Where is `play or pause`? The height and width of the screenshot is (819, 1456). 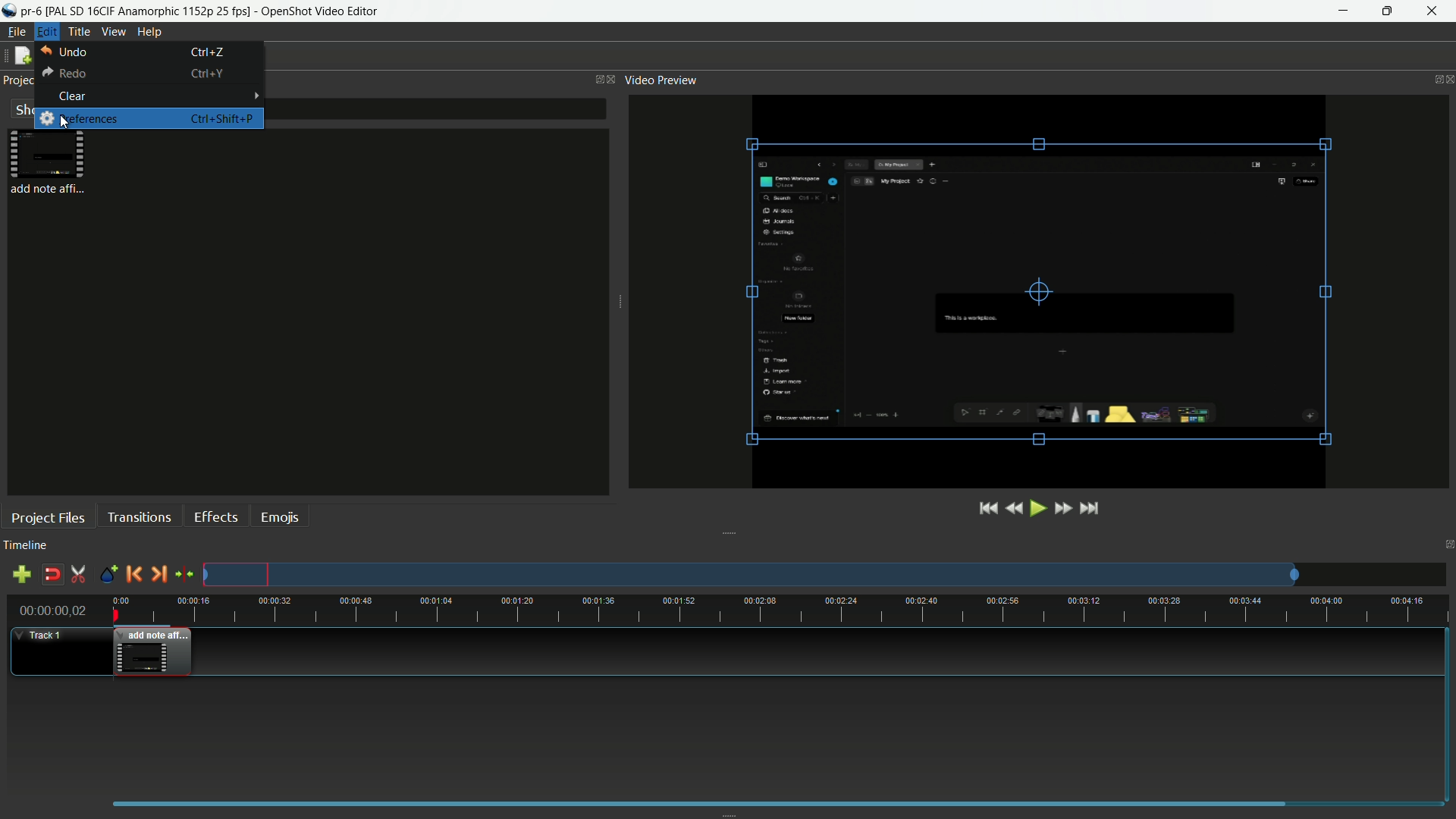
play or pause is located at coordinates (1036, 508).